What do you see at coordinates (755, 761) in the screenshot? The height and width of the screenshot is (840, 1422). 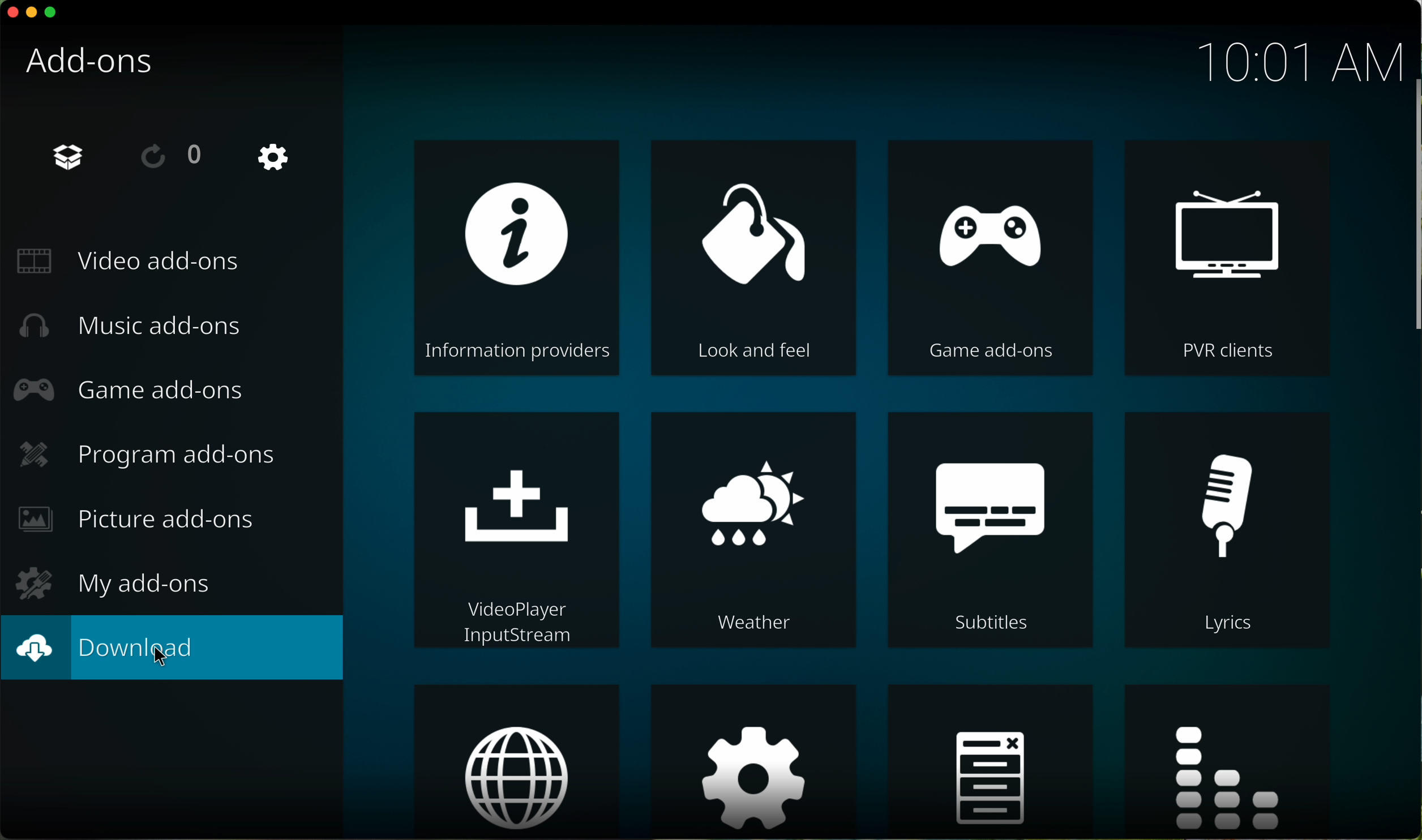 I see `settings` at bounding box center [755, 761].